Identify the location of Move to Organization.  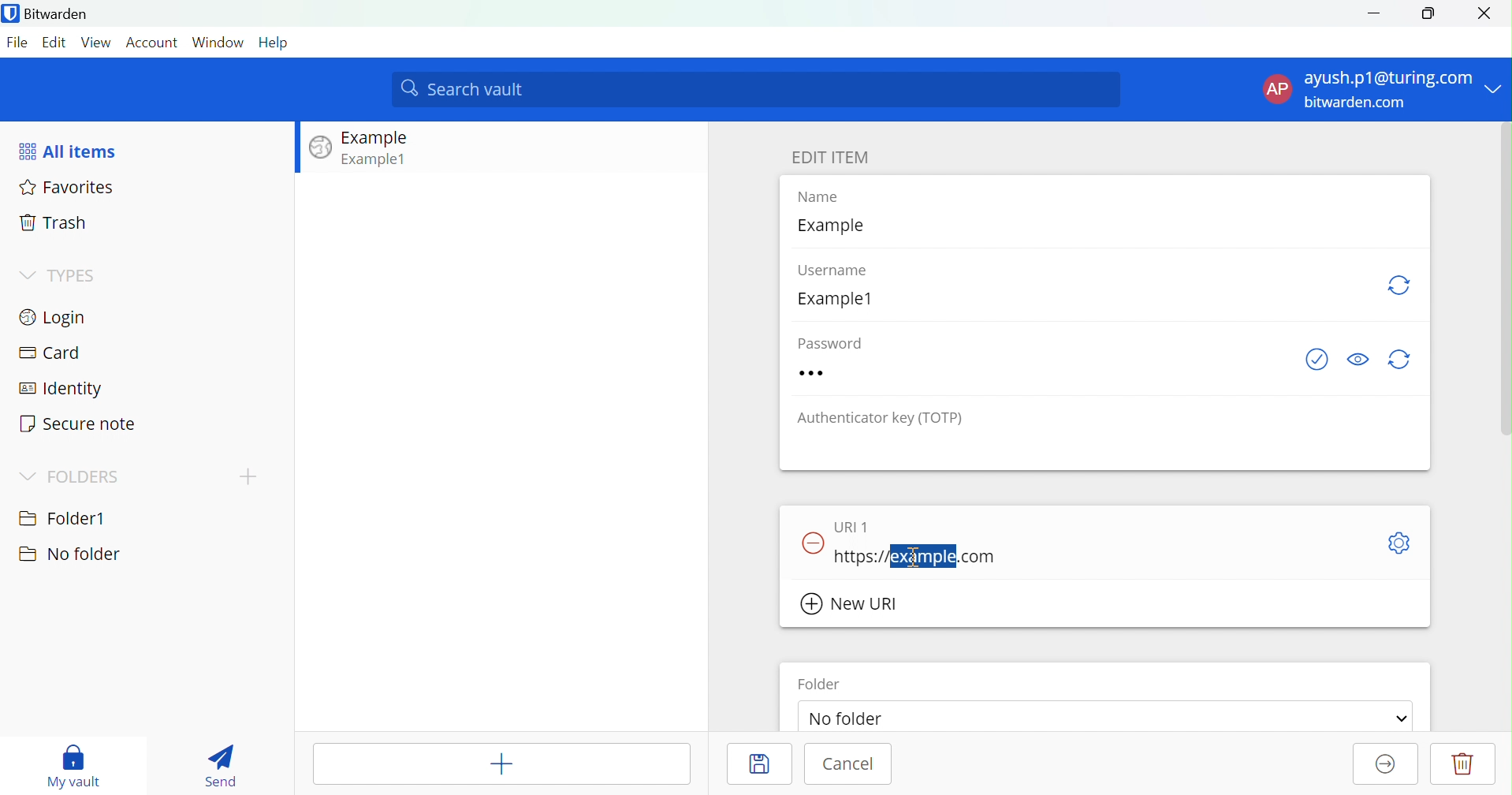
(1382, 765).